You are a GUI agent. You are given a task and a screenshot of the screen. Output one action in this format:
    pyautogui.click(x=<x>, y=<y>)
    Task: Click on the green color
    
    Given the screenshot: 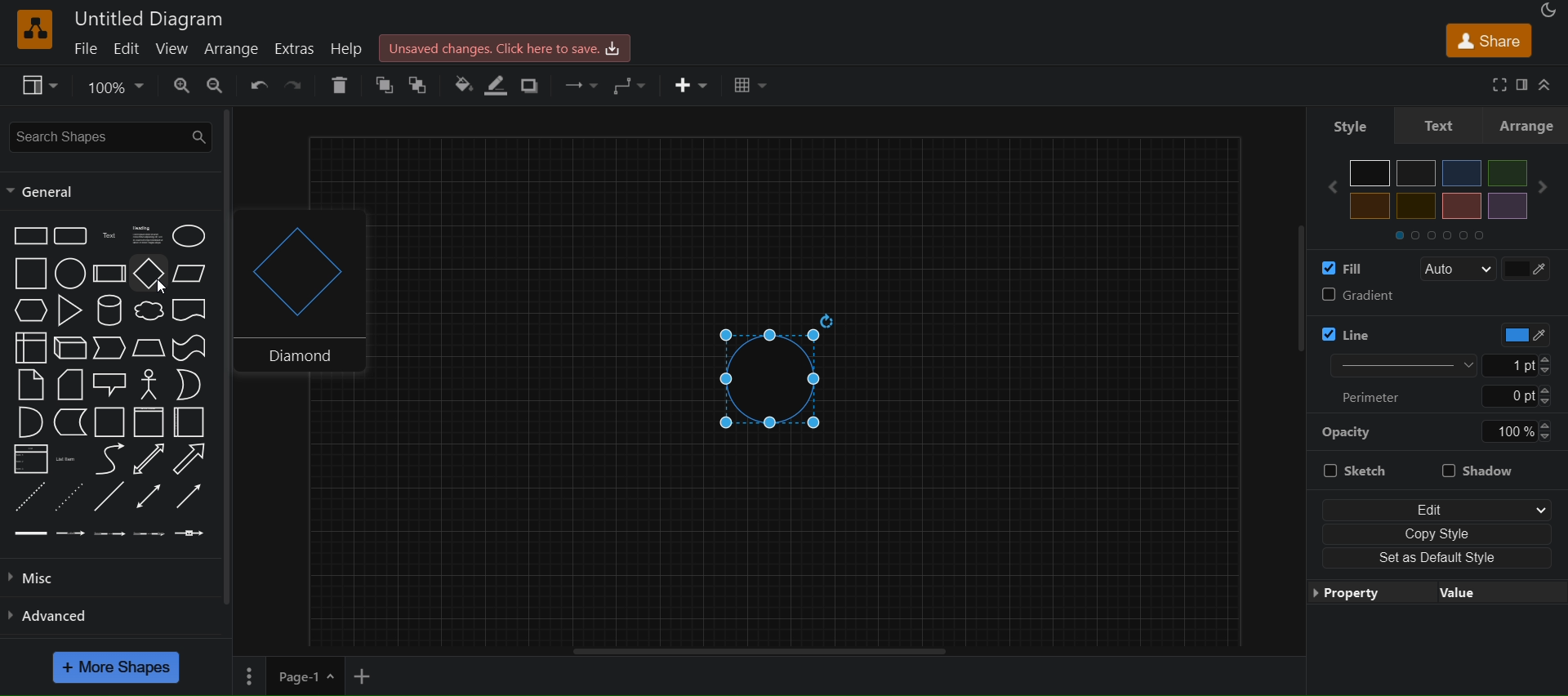 What is the action you would take?
    pyautogui.click(x=1506, y=172)
    